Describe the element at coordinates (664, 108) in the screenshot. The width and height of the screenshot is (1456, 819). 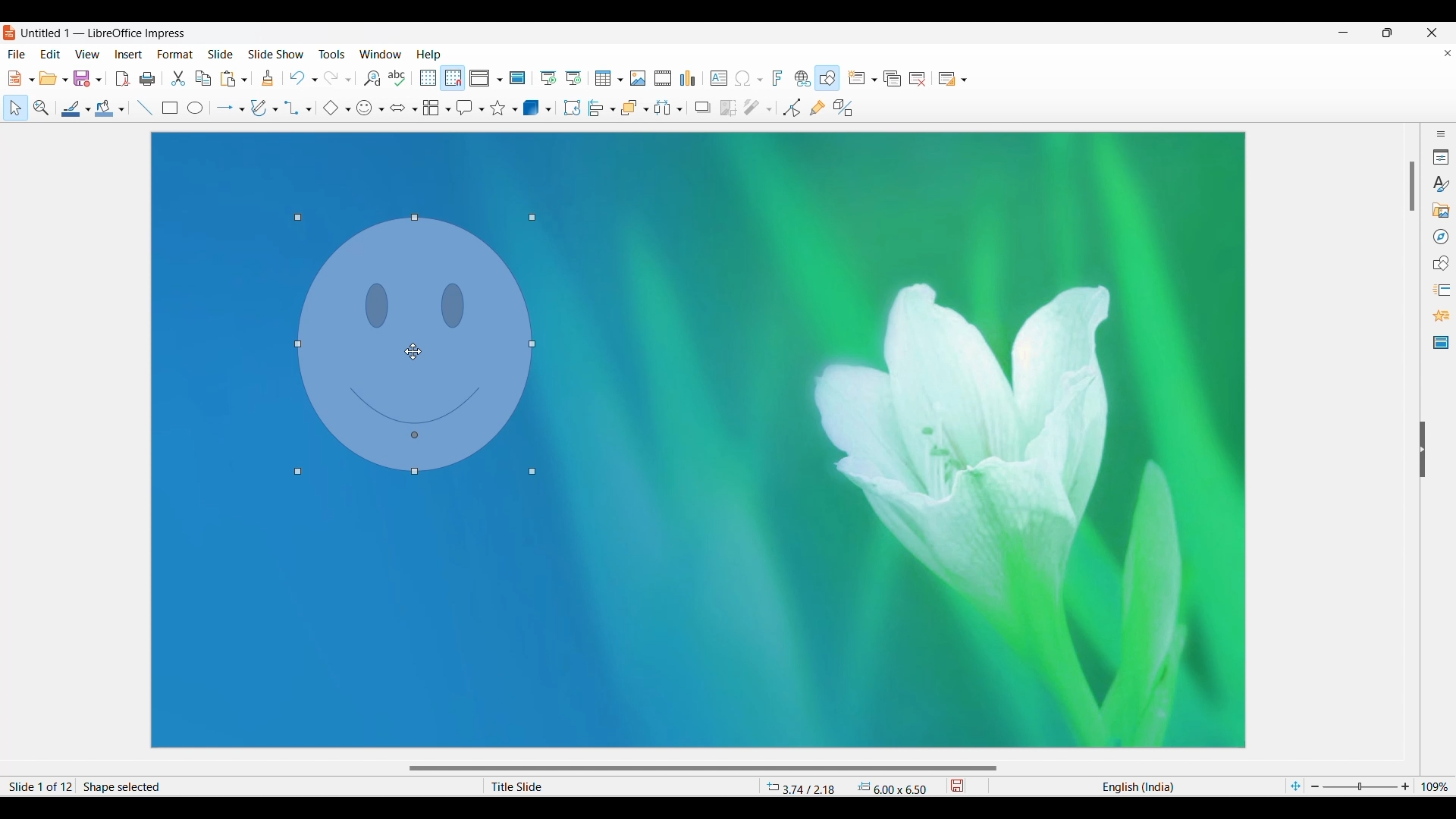
I see `Selected objects to distribute option` at that location.